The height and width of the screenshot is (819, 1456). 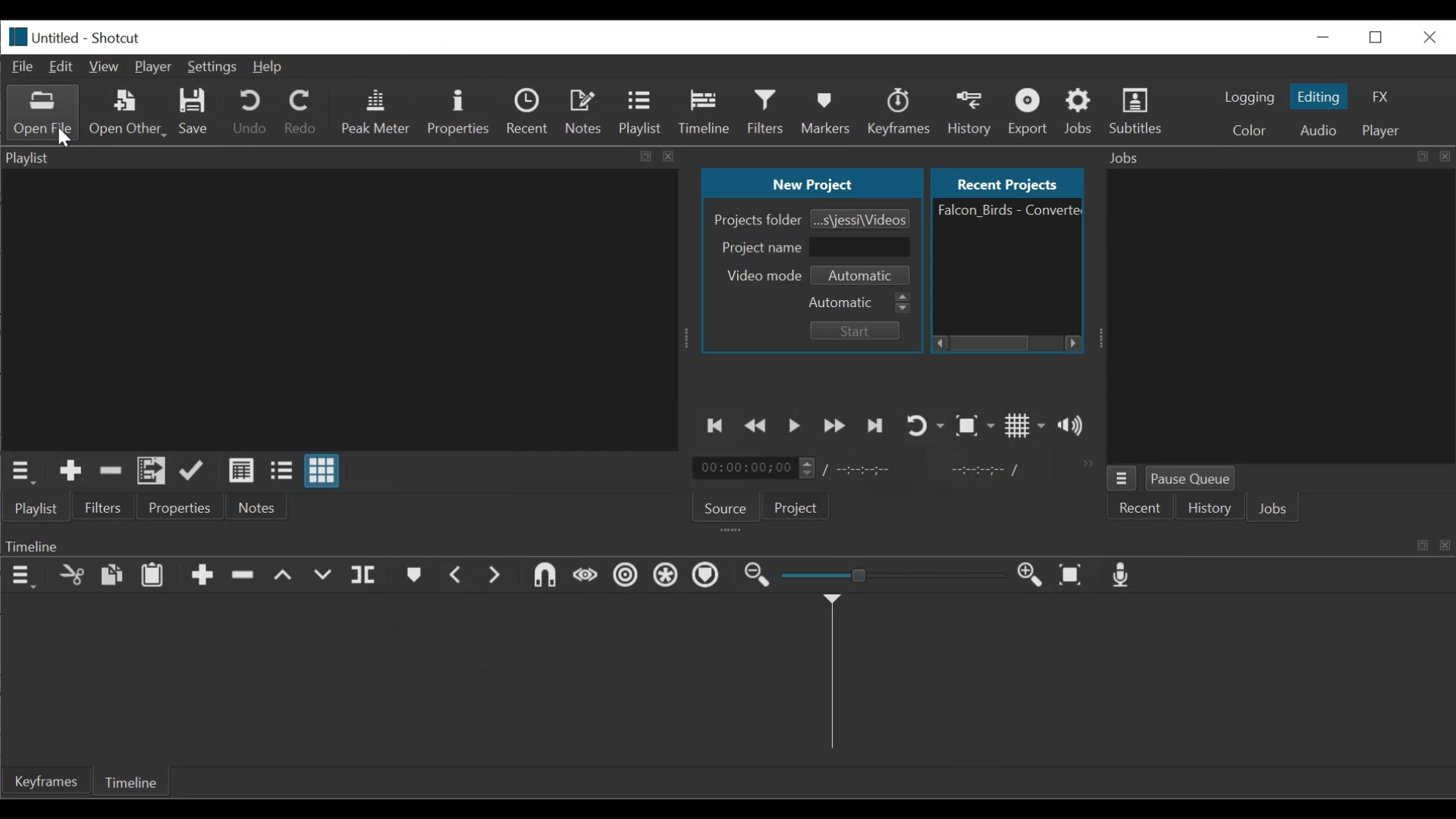 What do you see at coordinates (1137, 510) in the screenshot?
I see `Recent` at bounding box center [1137, 510].